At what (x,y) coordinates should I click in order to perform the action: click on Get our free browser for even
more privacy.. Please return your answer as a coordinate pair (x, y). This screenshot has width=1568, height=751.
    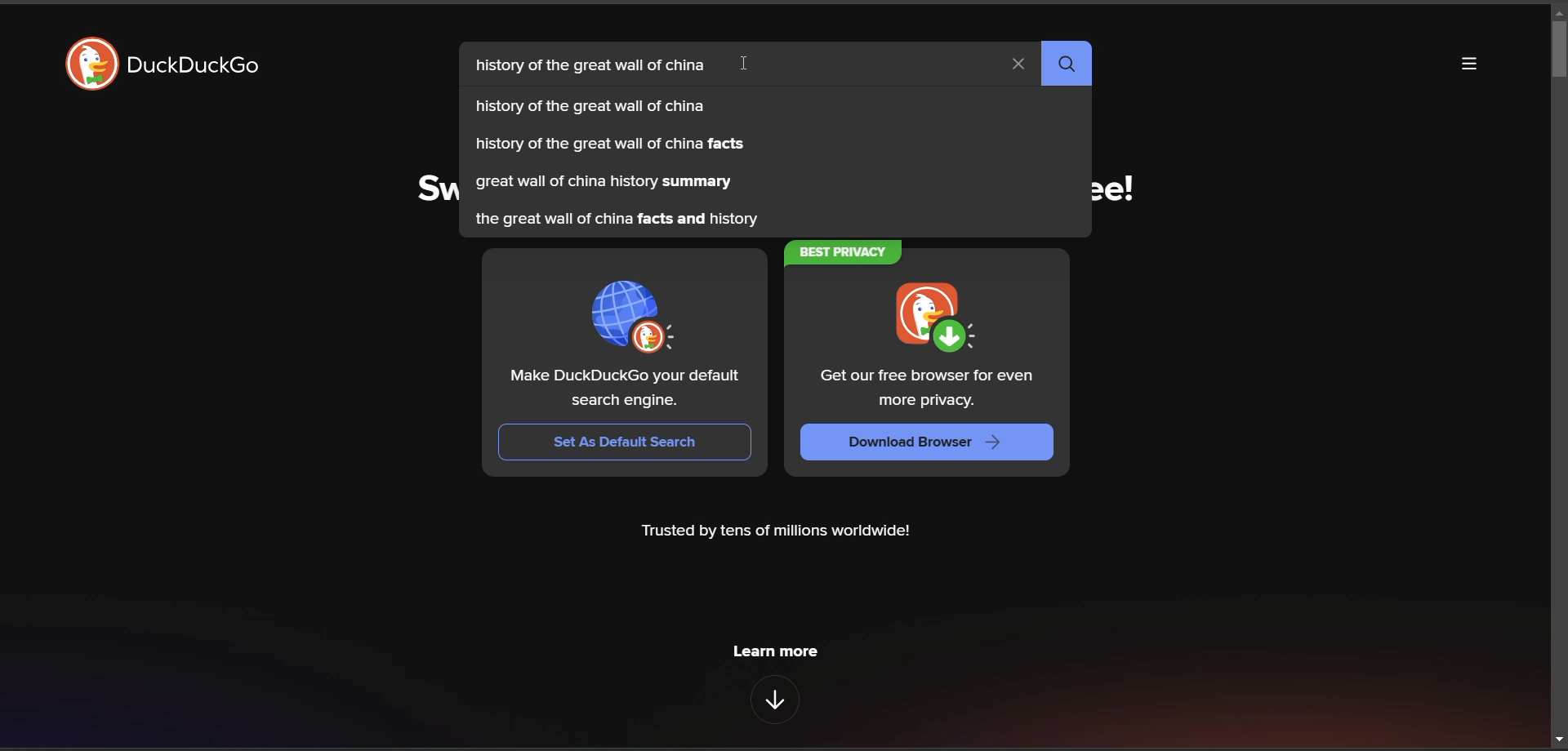
    Looking at the image, I should click on (931, 388).